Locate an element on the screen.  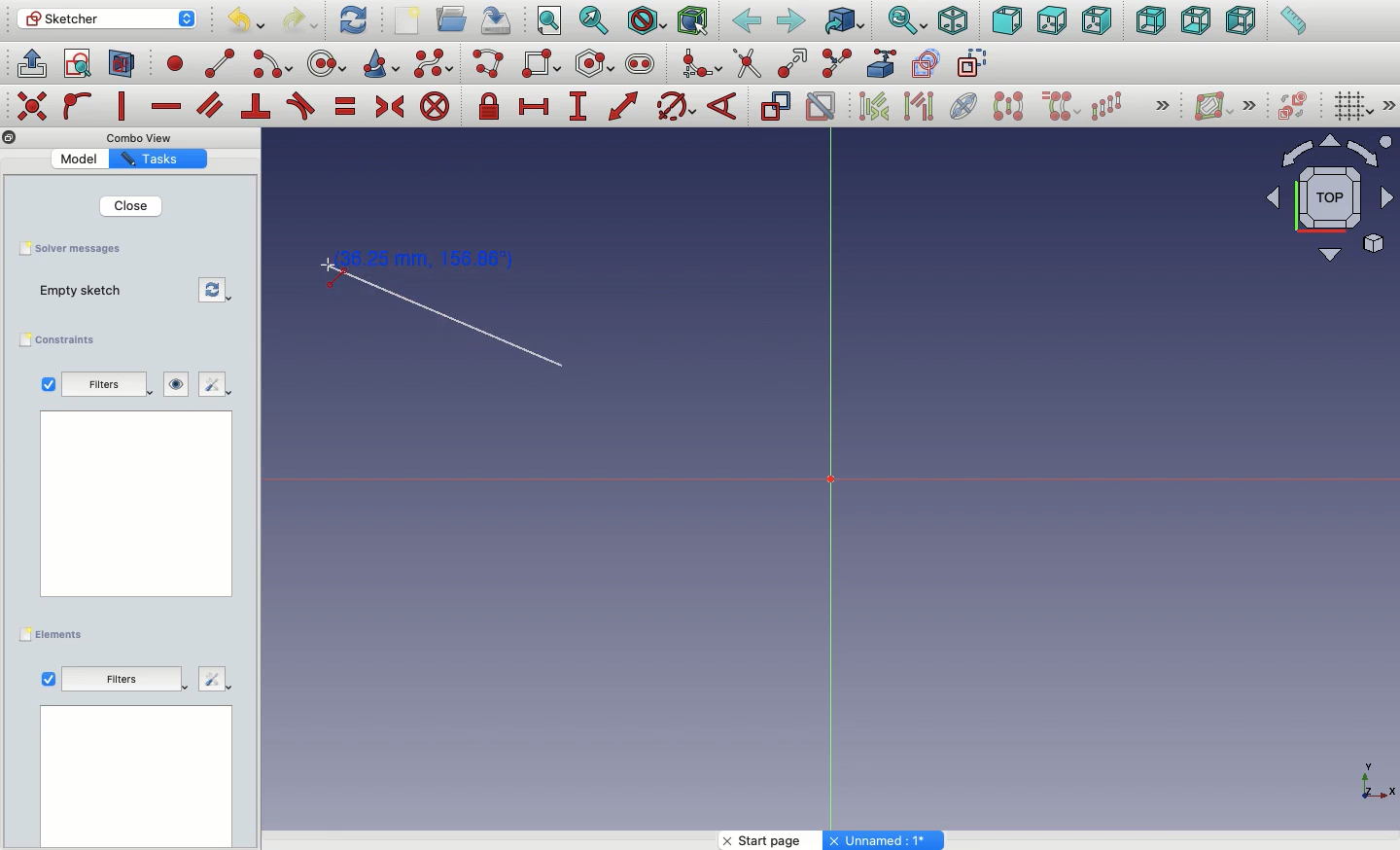
Leave sketch is located at coordinates (31, 62).